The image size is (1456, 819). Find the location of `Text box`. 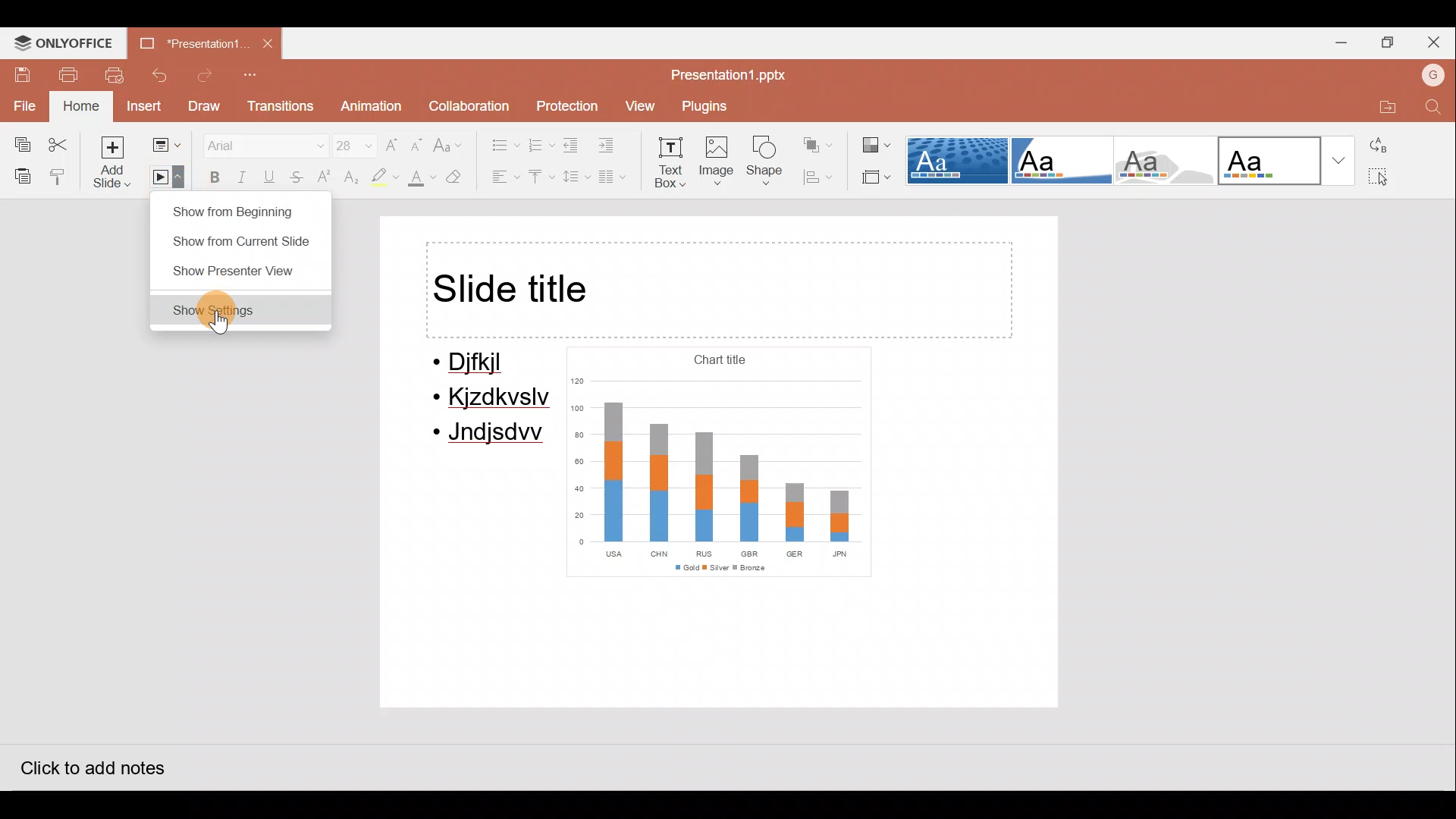

Text box is located at coordinates (672, 162).